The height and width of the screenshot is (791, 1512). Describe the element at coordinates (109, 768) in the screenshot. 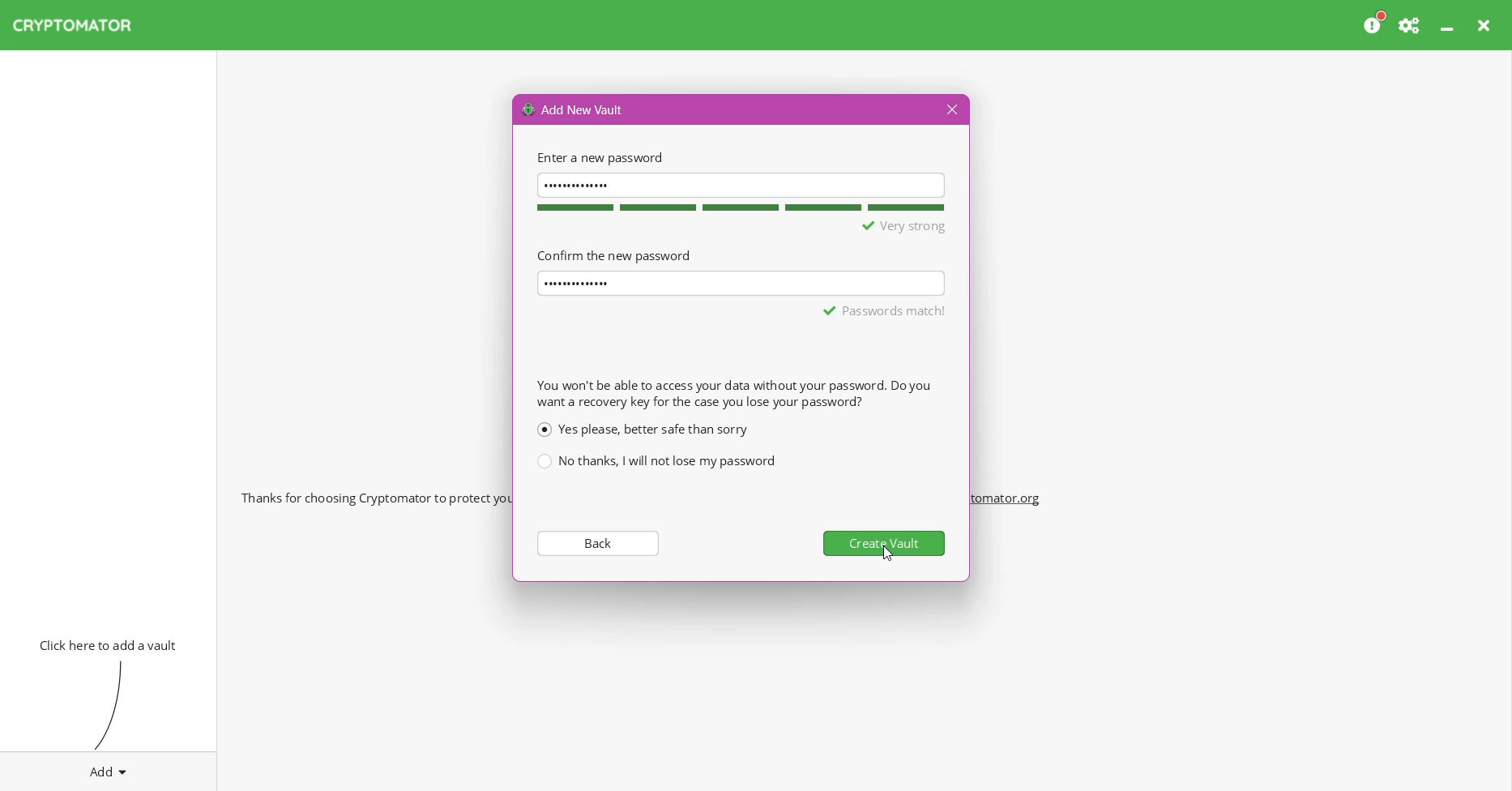

I see `Add` at that location.